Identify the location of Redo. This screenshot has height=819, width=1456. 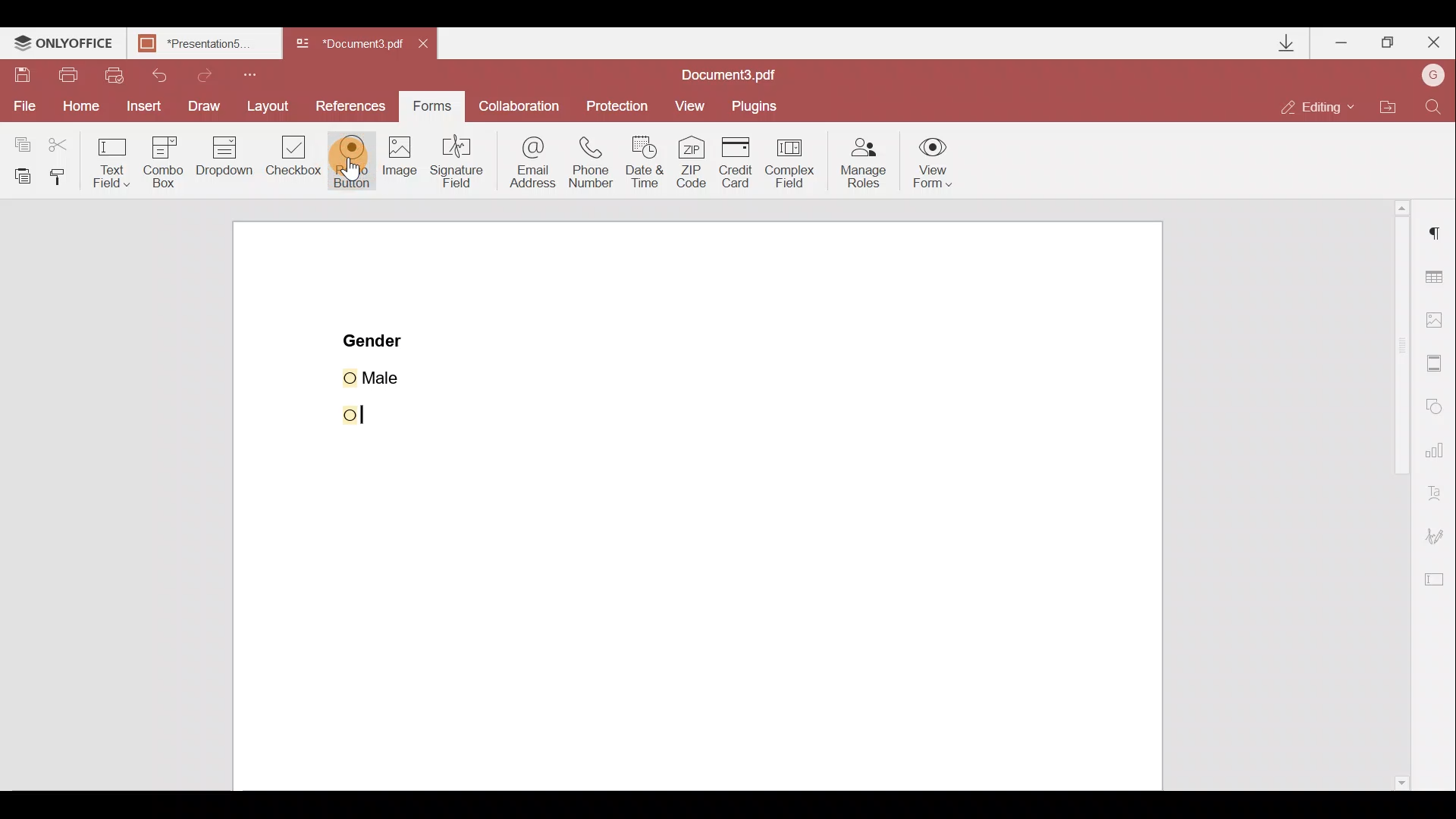
(218, 75).